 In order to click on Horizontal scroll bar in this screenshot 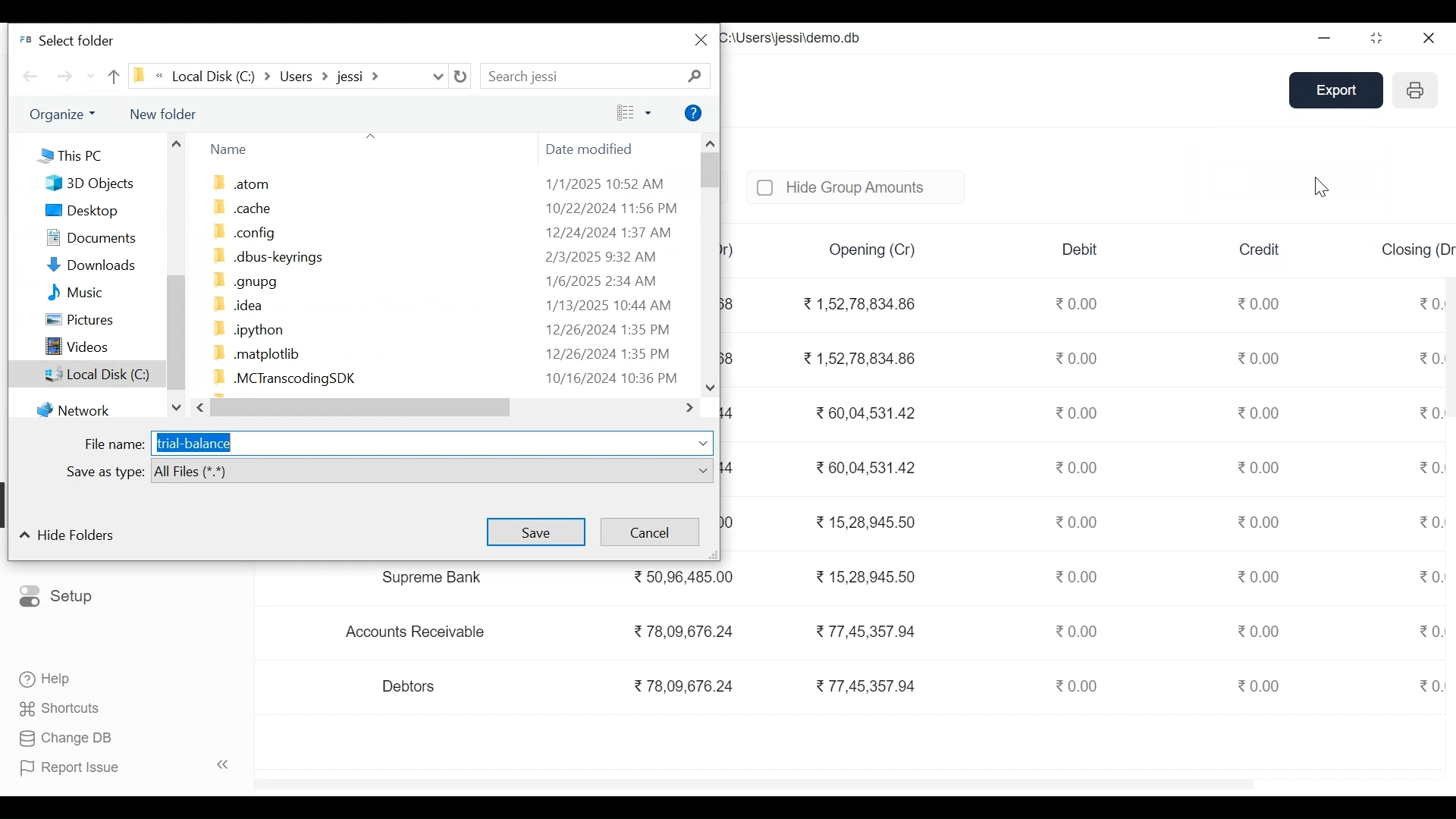, I will do `click(365, 407)`.